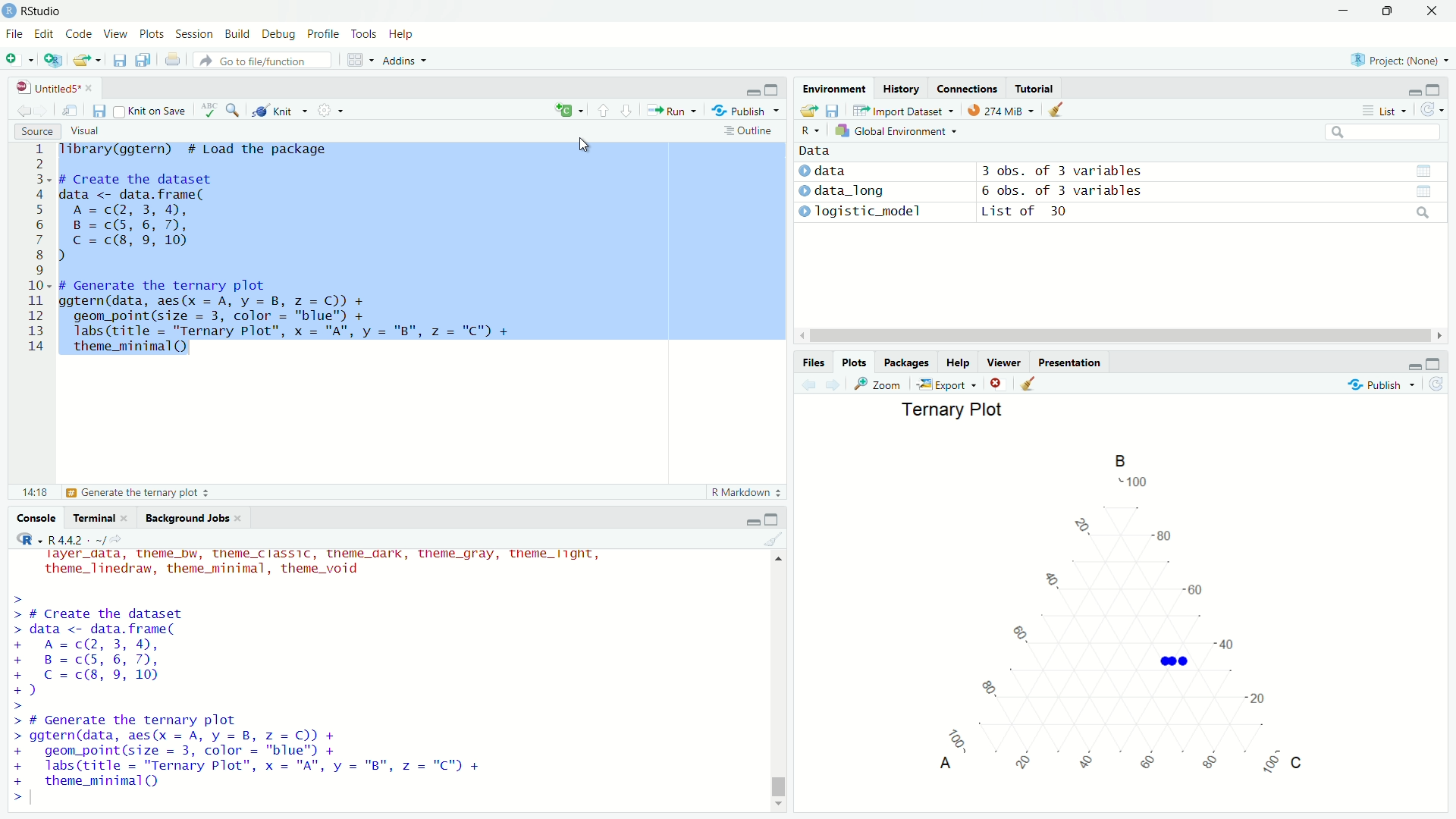 This screenshot has width=1456, height=819. What do you see at coordinates (299, 256) in the screenshot?
I see `library(ggtern) # Load the package
# Create the dataset
data <- data.frame(
A=c, 3,4,
B =c(5, 6, 7),
C =c(8, 9, 10)
)
I
# Generate the ternary plot
ggtern(data, aes(x = A, y = B, z = 0) +
geom_point(size = 3, color = "blue") +
labs(title = "Ternary Plot", x = "A", y = "8", z = "C") +
theme_minimal()` at bounding box center [299, 256].